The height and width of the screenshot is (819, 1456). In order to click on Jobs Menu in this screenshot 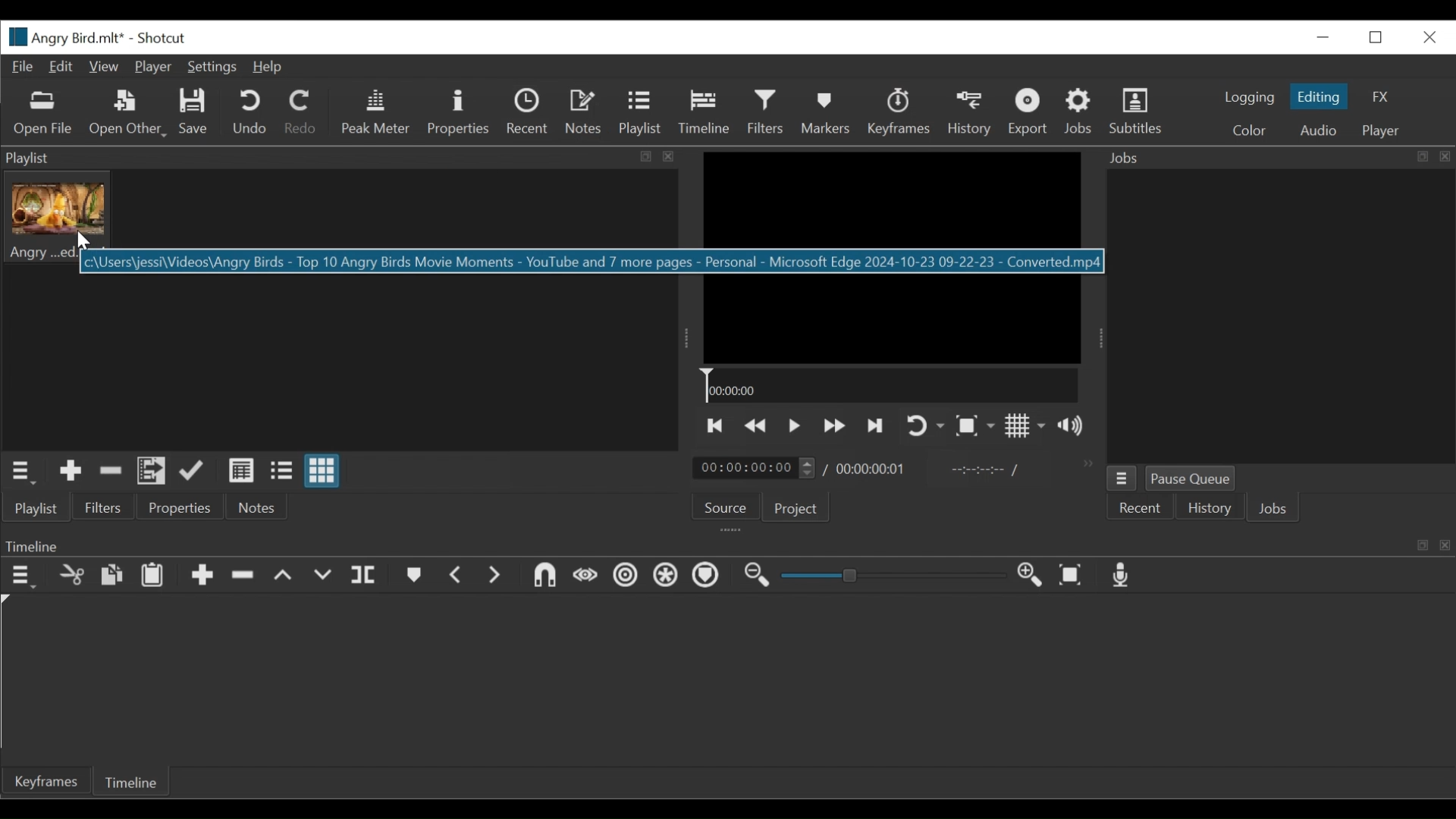, I will do `click(1122, 480)`.